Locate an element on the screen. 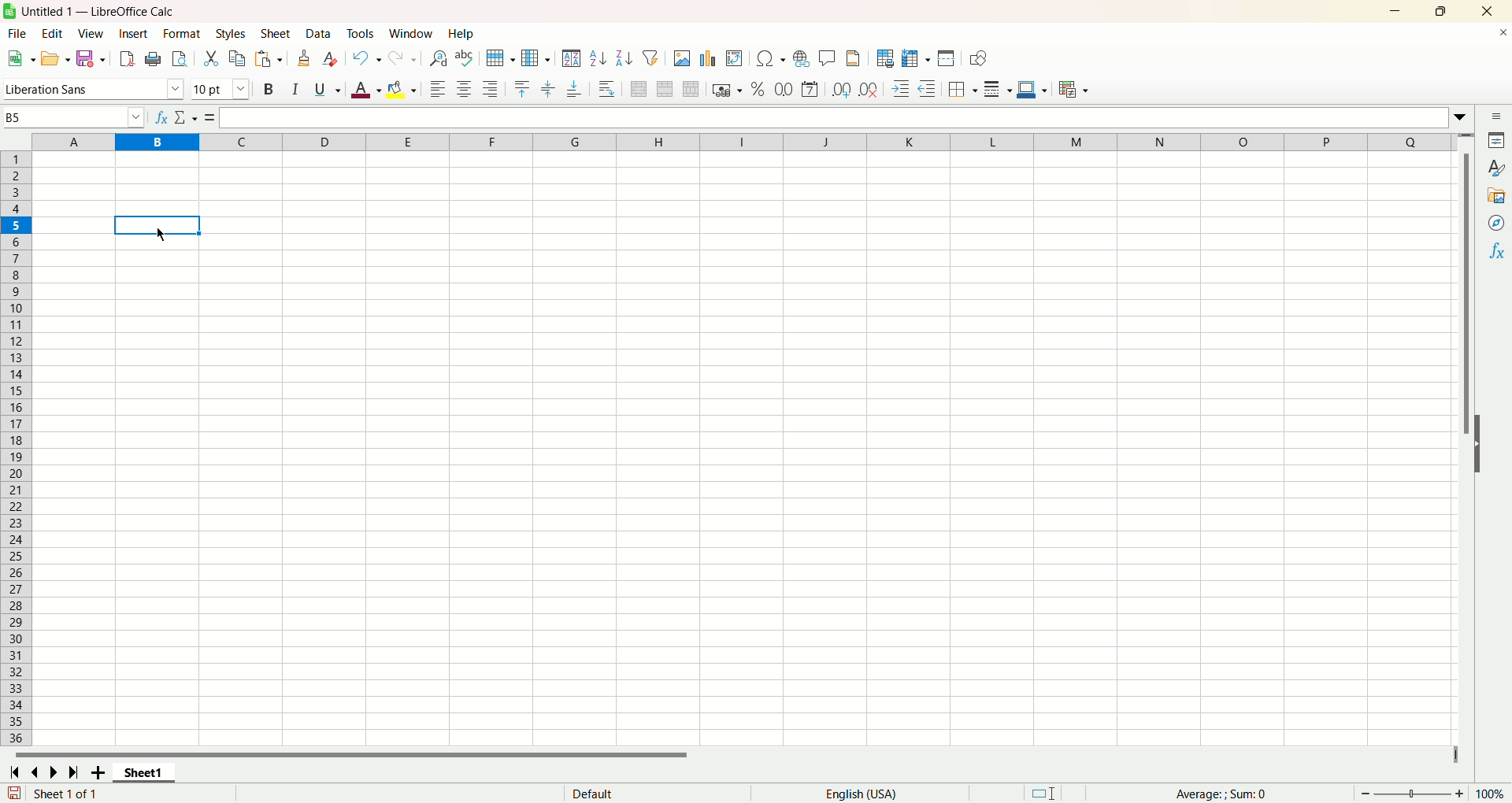 This screenshot has height=803, width=1512. remove decimal place is located at coordinates (869, 90).